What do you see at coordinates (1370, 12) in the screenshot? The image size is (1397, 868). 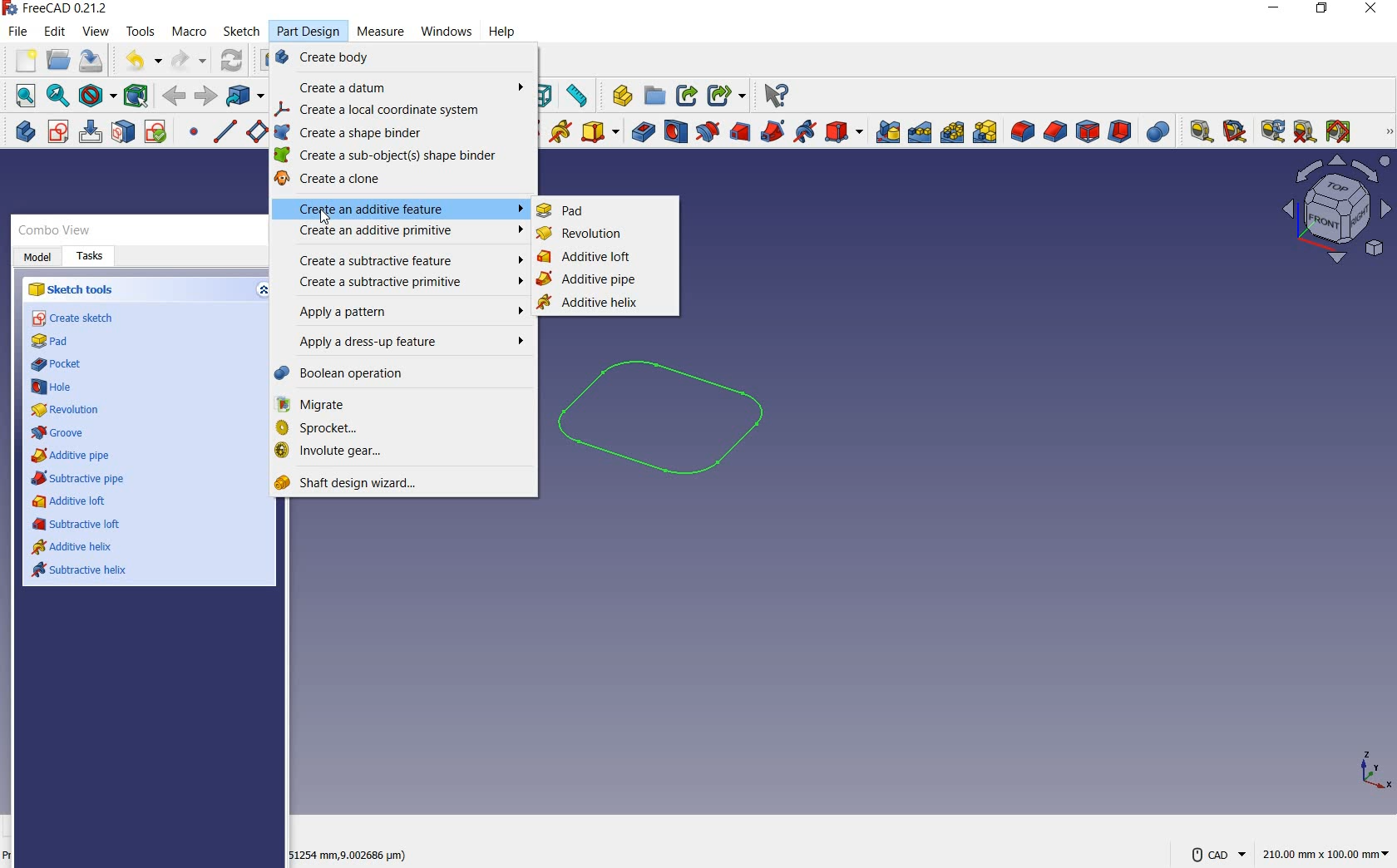 I see `close` at bounding box center [1370, 12].